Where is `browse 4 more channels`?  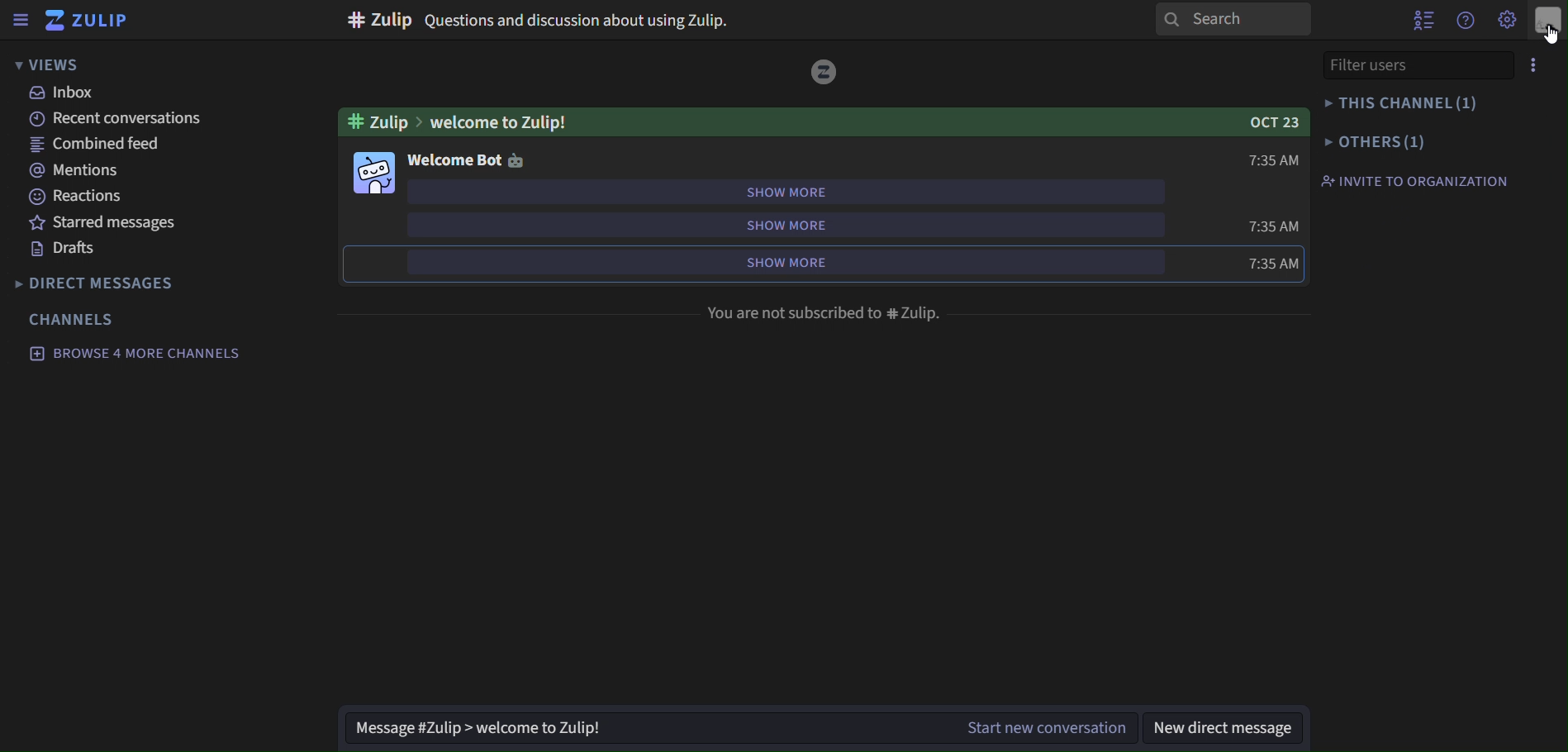 browse 4 more channels is located at coordinates (131, 354).